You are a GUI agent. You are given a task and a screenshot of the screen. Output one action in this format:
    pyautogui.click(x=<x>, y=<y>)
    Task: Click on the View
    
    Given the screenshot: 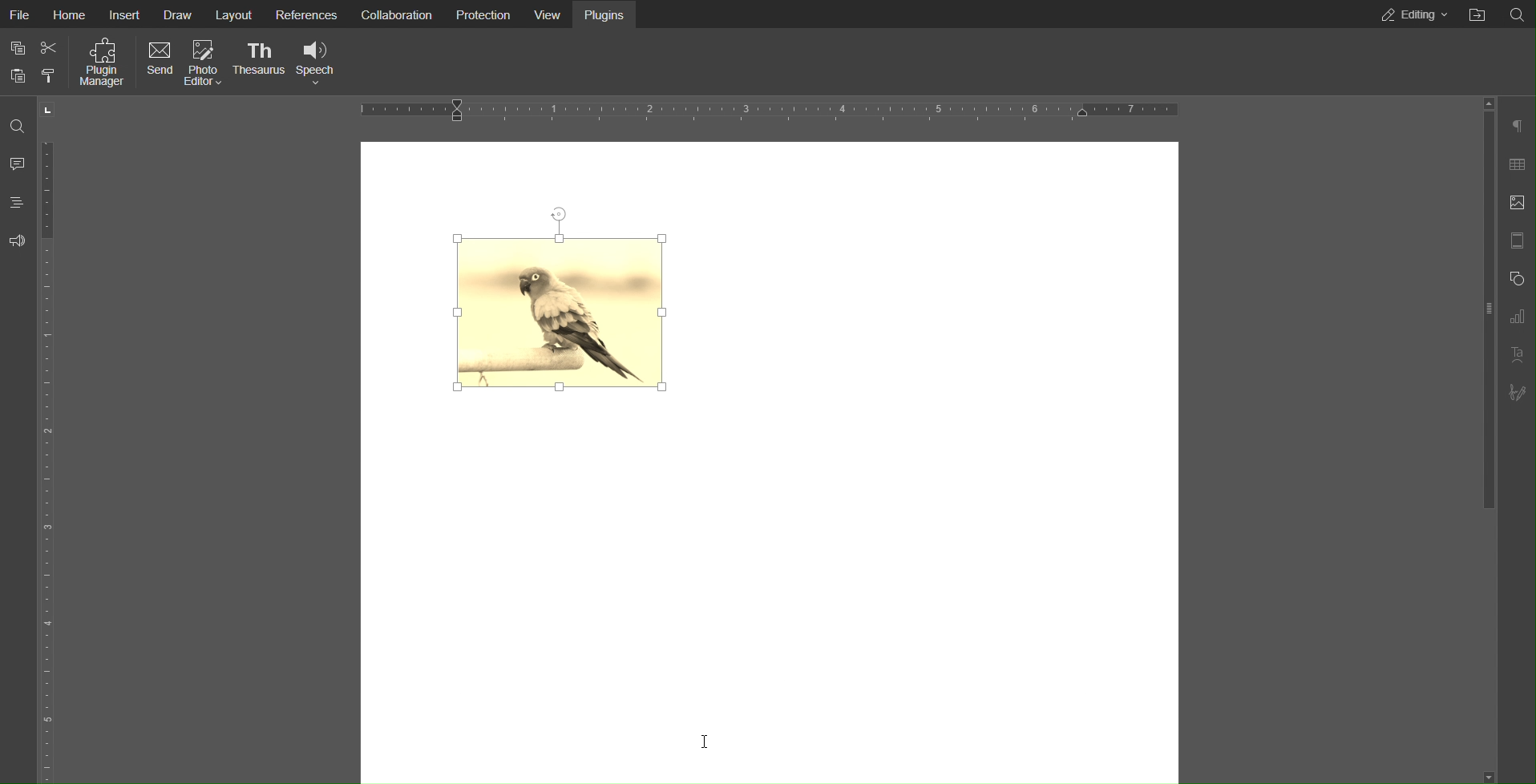 What is the action you would take?
    pyautogui.click(x=546, y=14)
    